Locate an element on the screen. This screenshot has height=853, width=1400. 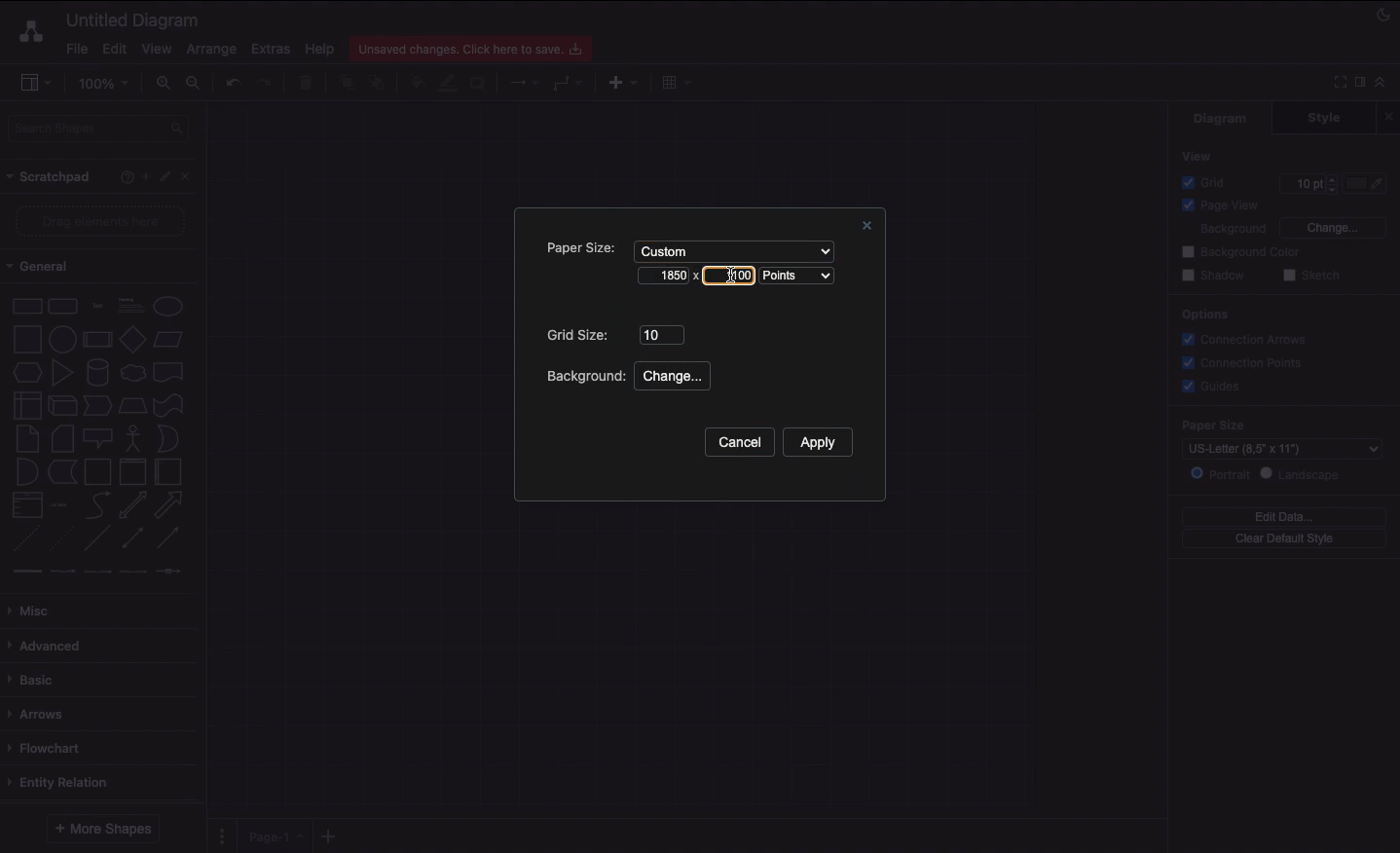
Dashed line is located at coordinates (23, 541).